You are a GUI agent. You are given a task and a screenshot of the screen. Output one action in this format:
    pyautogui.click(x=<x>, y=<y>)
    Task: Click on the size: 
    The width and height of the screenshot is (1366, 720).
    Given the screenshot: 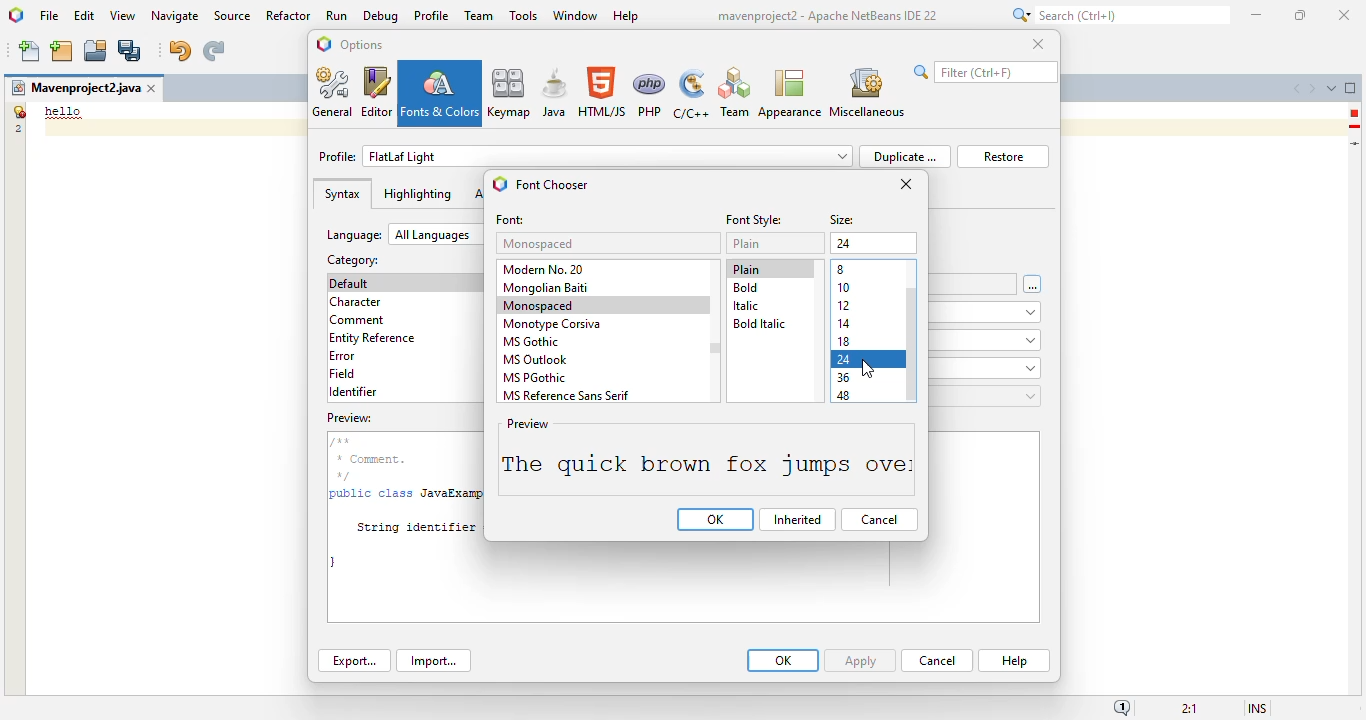 What is the action you would take?
    pyautogui.click(x=843, y=221)
    